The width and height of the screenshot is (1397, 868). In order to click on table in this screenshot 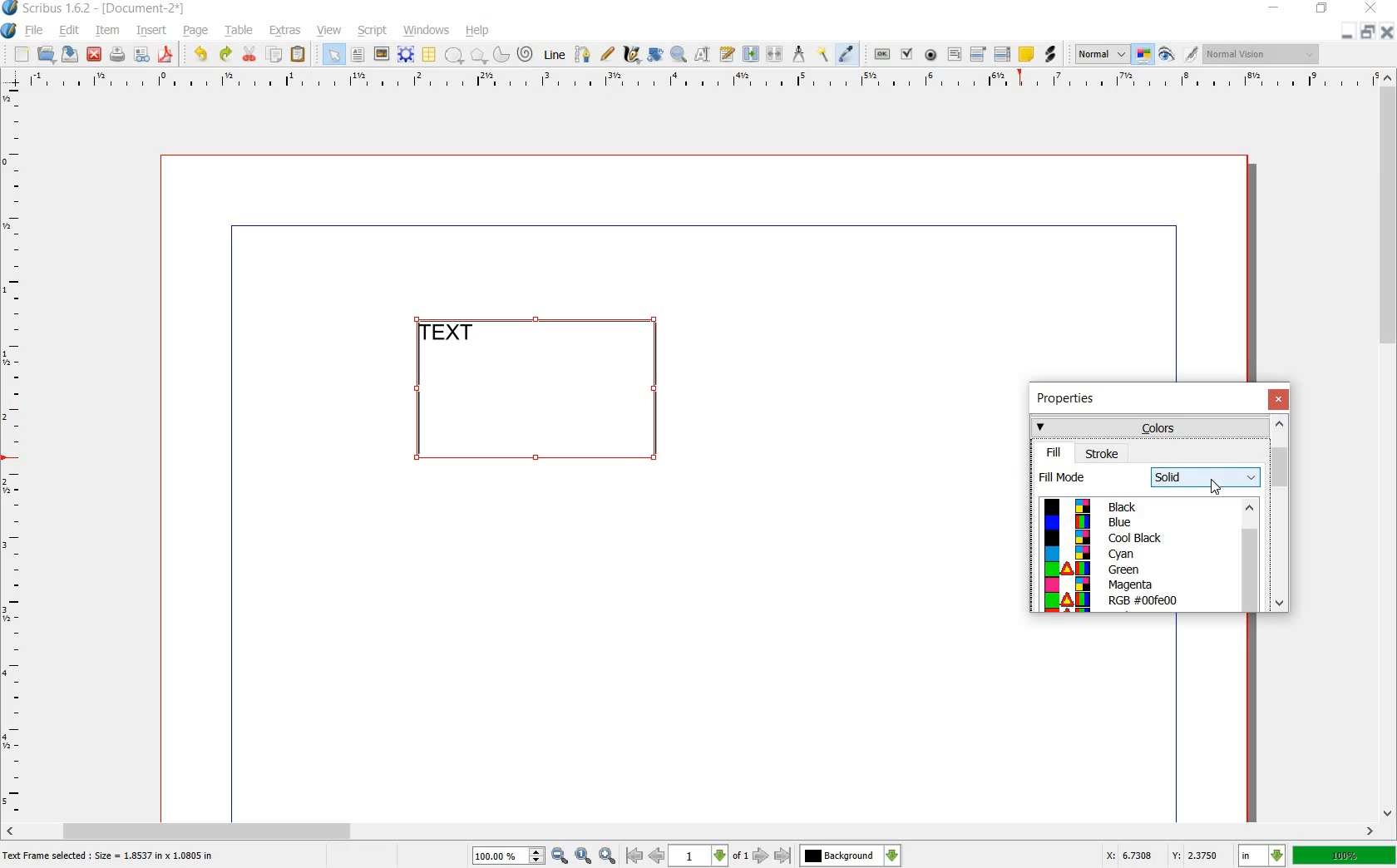, I will do `click(240, 32)`.